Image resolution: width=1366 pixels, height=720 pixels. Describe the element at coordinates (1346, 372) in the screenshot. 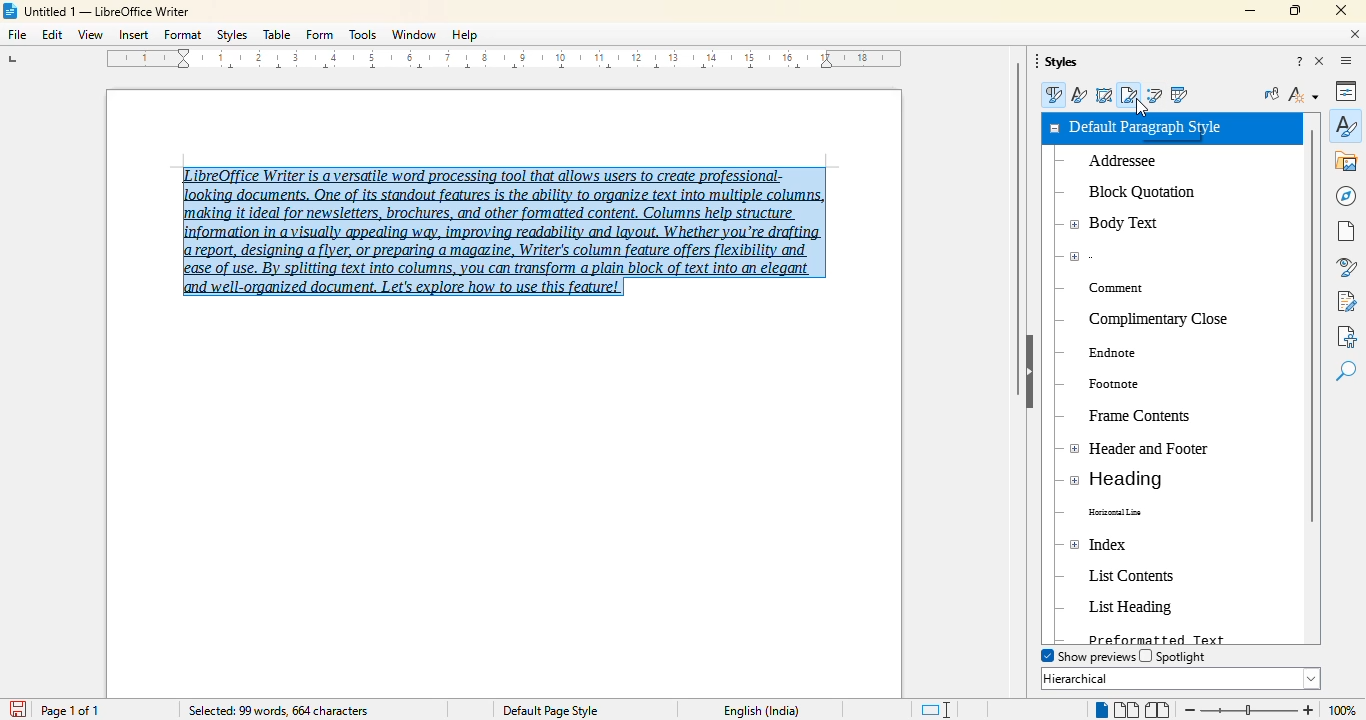

I see `find` at that location.